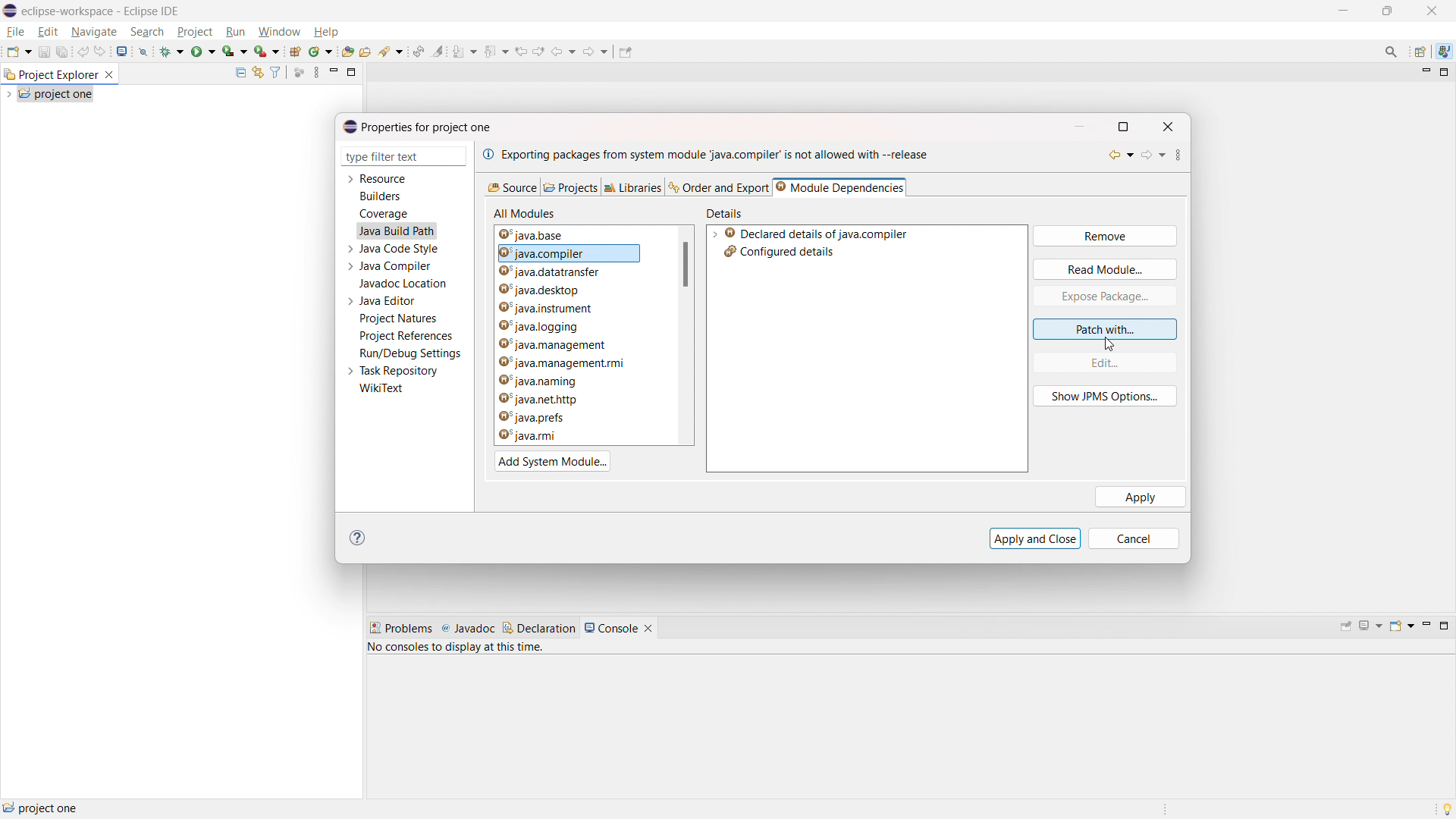  What do you see at coordinates (11, 11) in the screenshot?
I see `logo` at bounding box center [11, 11].